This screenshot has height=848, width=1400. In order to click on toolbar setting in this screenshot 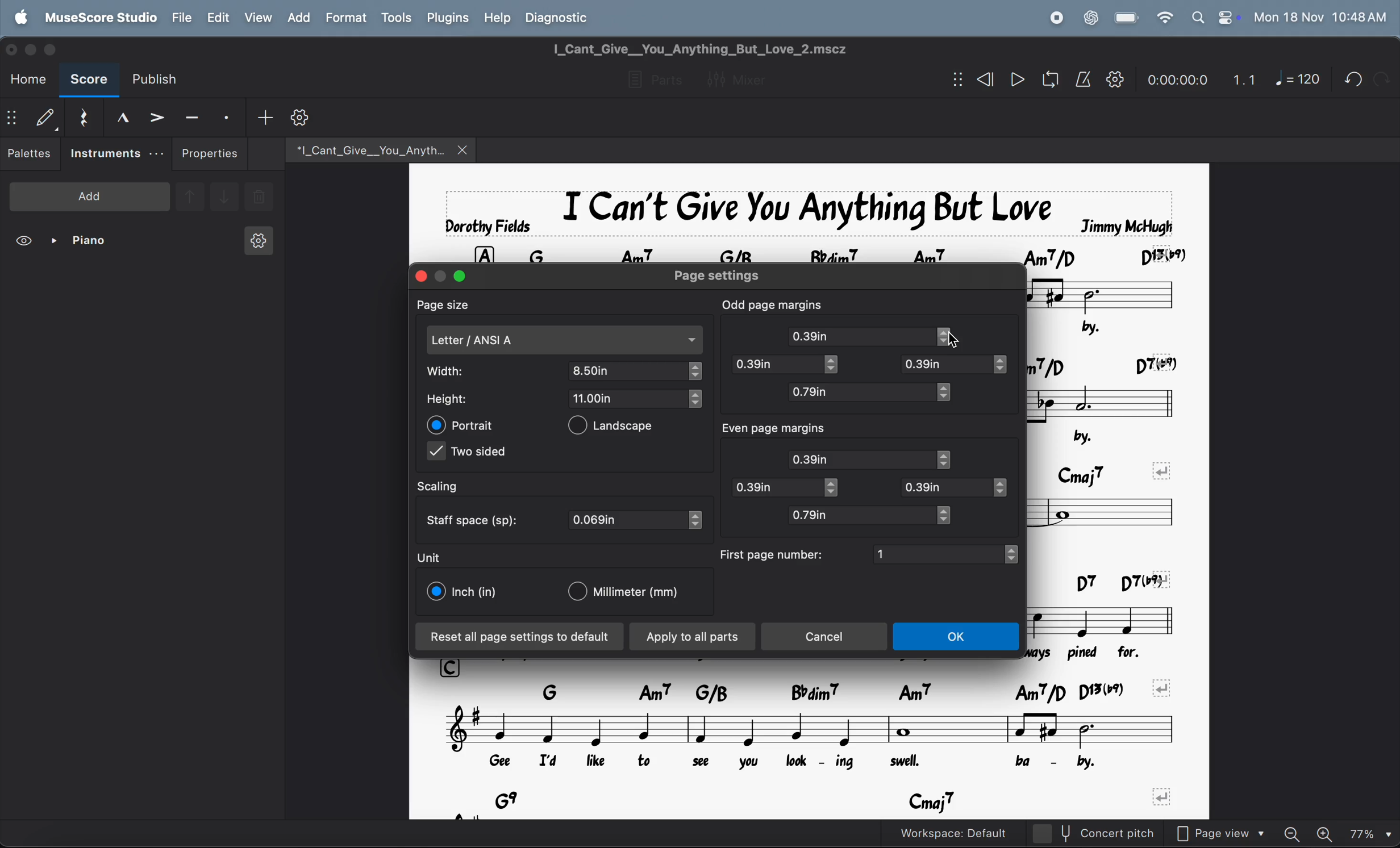, I will do `click(302, 118)`.